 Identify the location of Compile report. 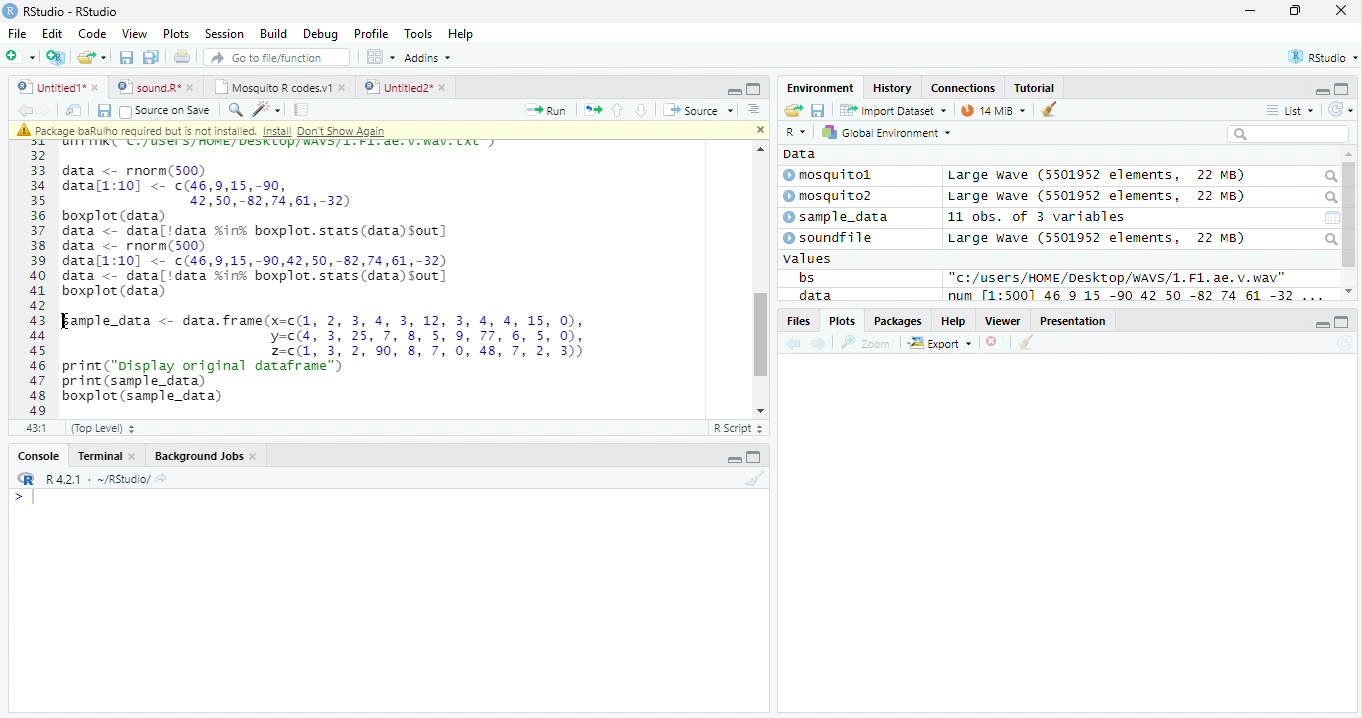
(302, 110).